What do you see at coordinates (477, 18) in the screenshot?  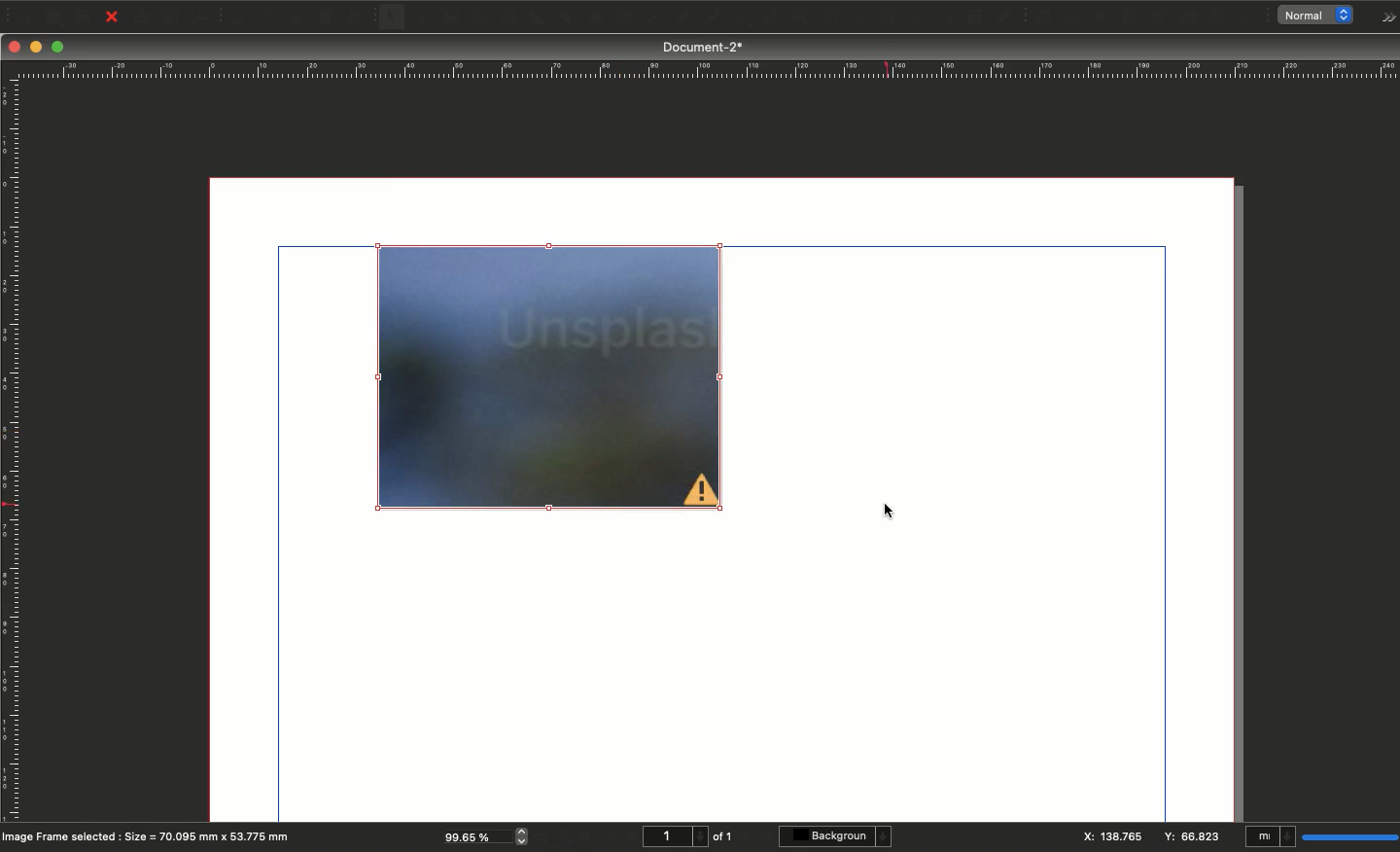 I see `Render frame` at bounding box center [477, 18].